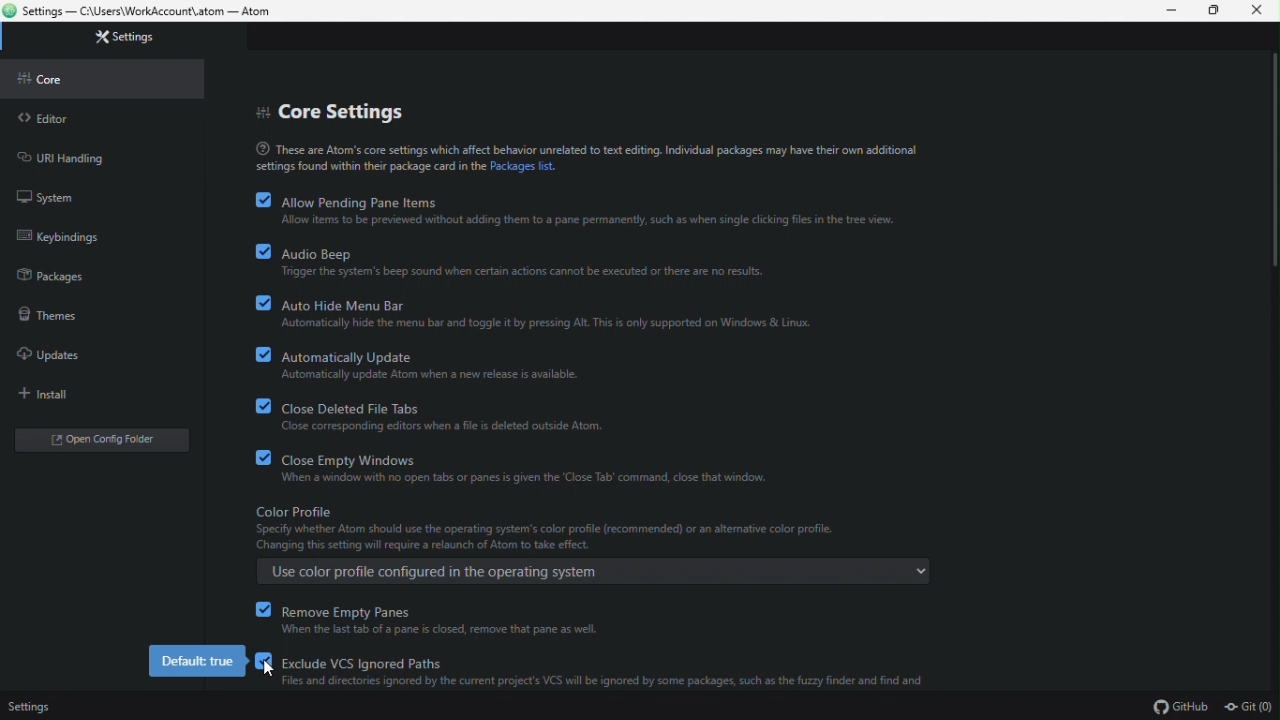  Describe the element at coordinates (262, 666) in the screenshot. I see `checkbox` at that location.